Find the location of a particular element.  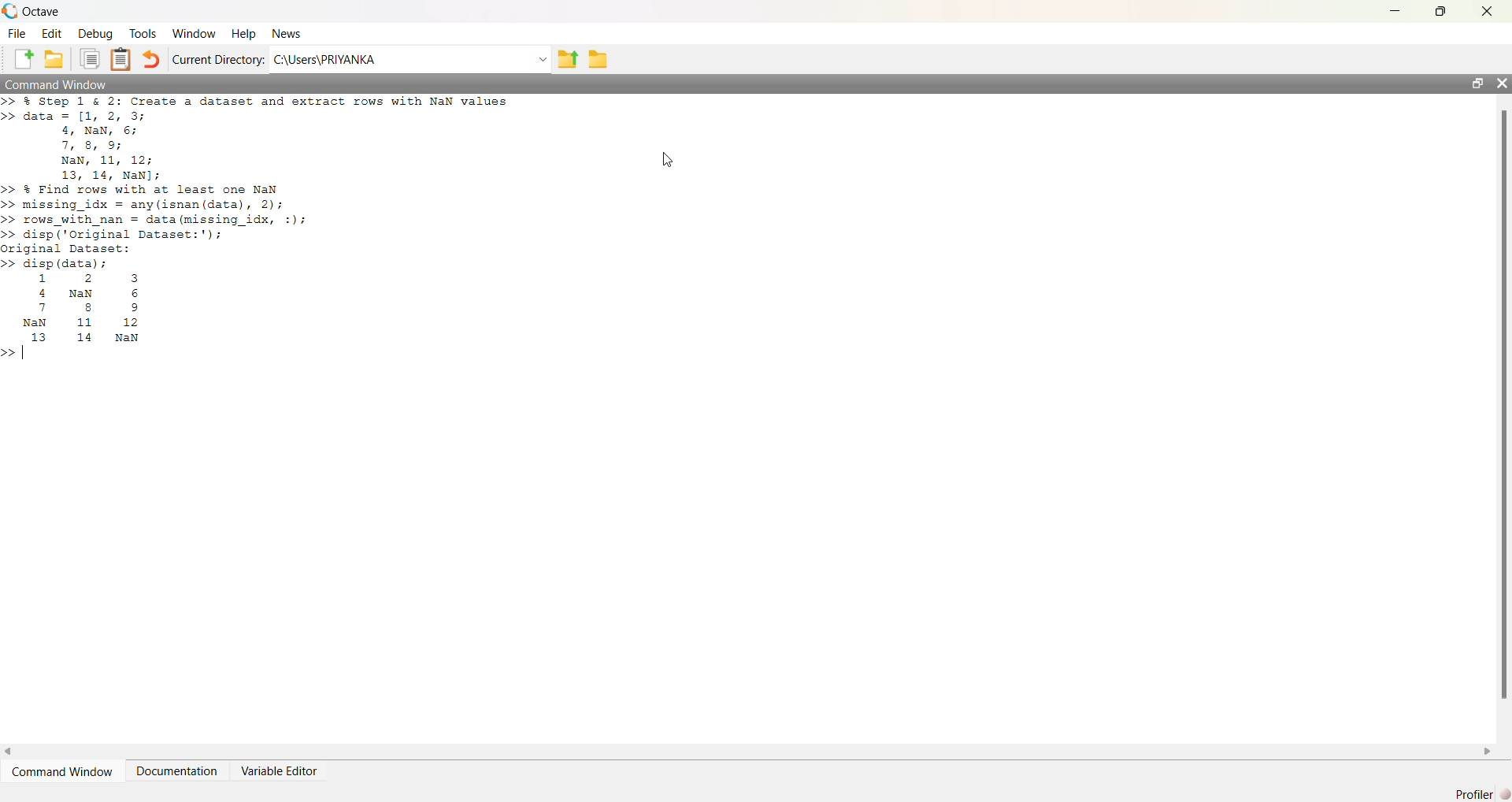

Command Window is located at coordinates (62, 772).